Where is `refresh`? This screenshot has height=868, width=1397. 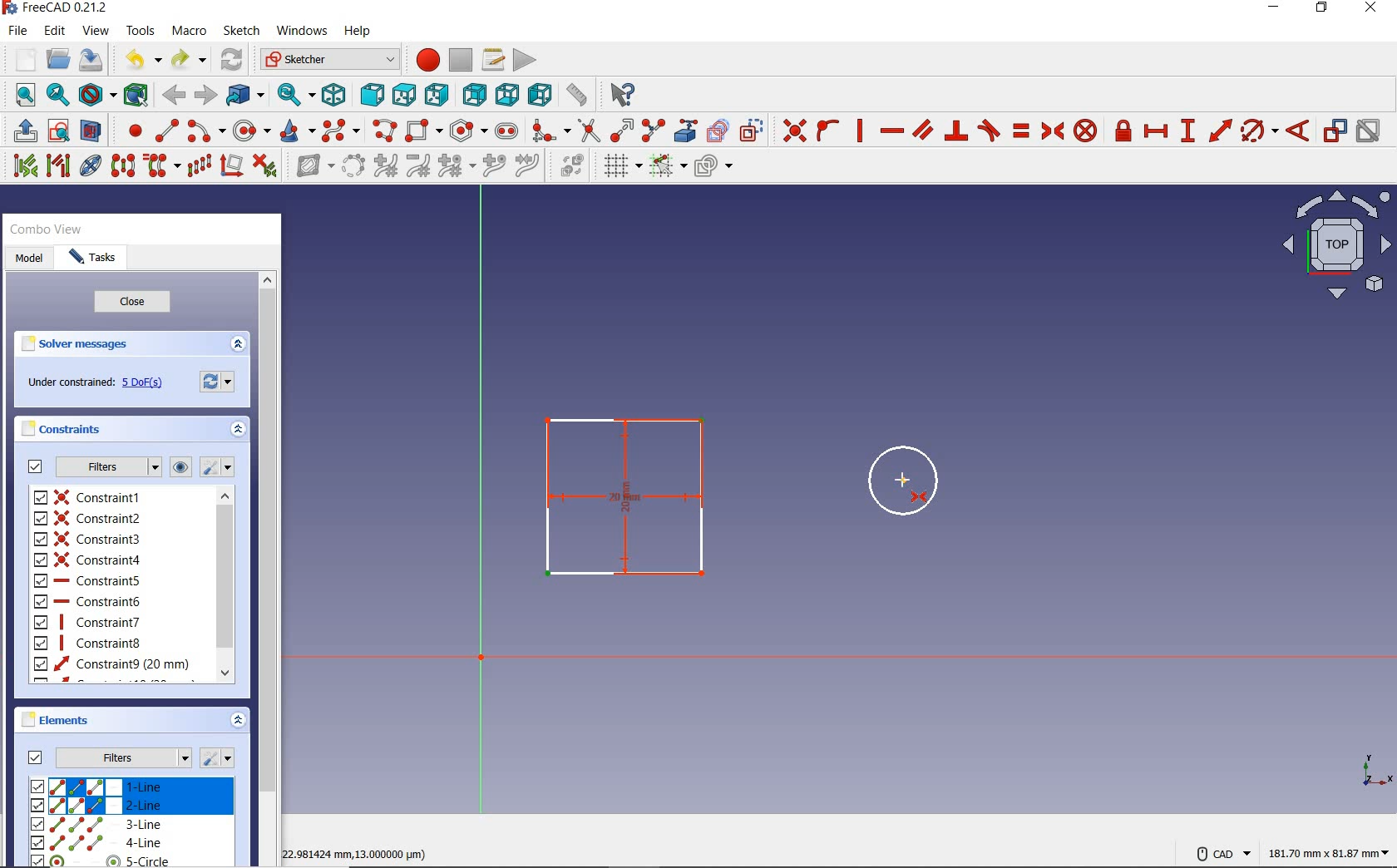 refresh is located at coordinates (233, 60).